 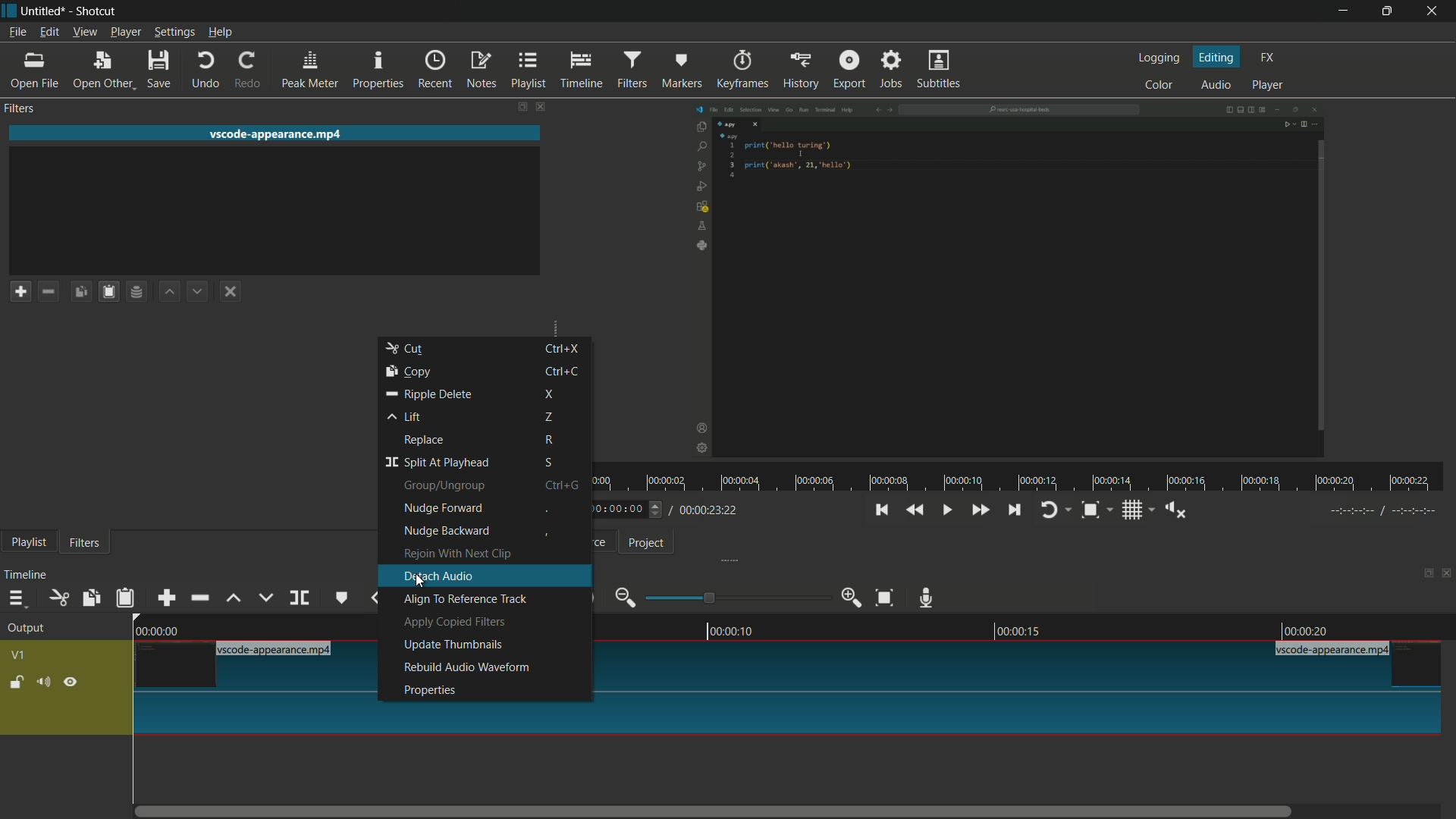 I want to click on markers, so click(x=683, y=70).